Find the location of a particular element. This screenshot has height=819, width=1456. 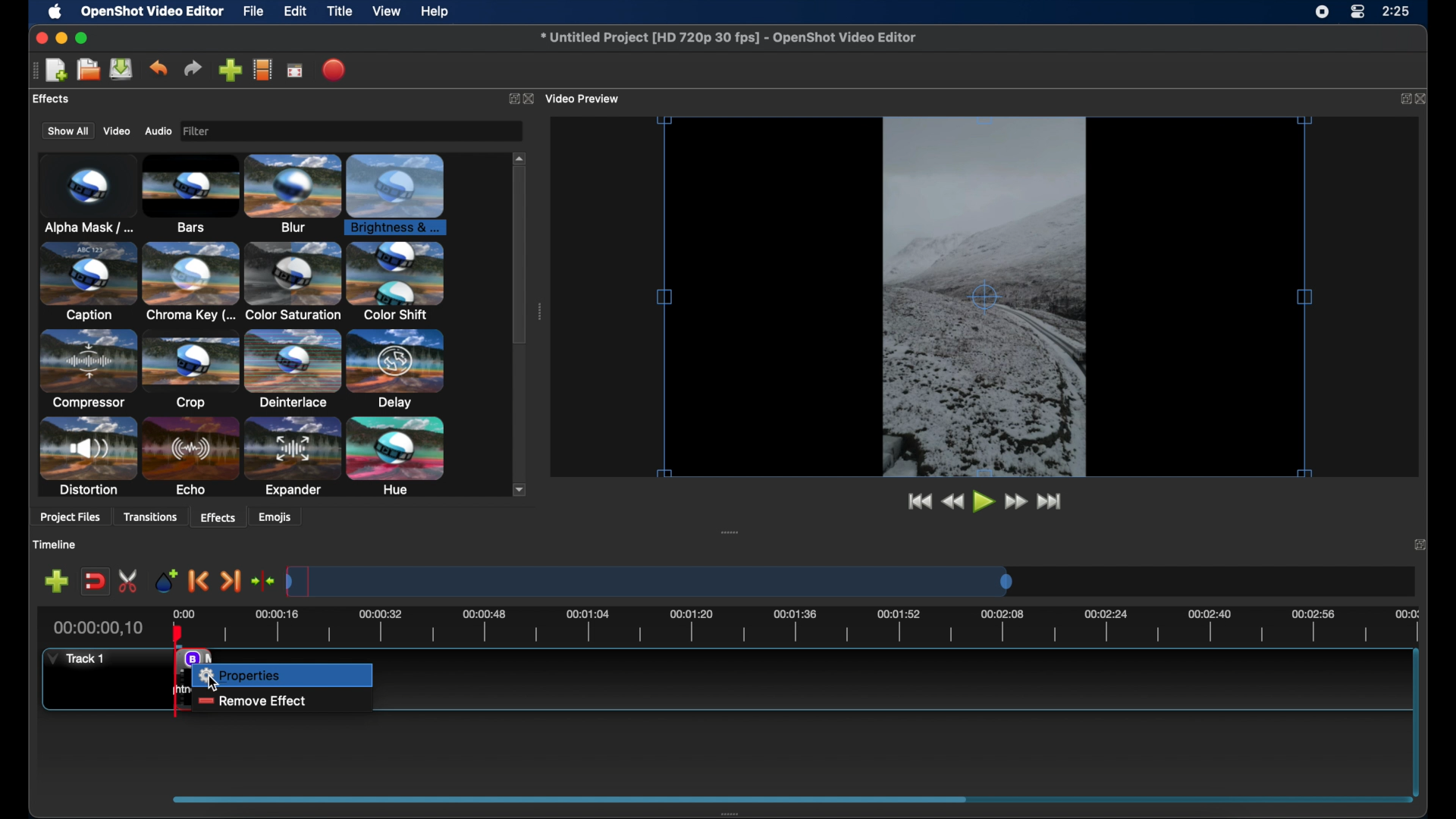

timeline scale is located at coordinates (820, 626).